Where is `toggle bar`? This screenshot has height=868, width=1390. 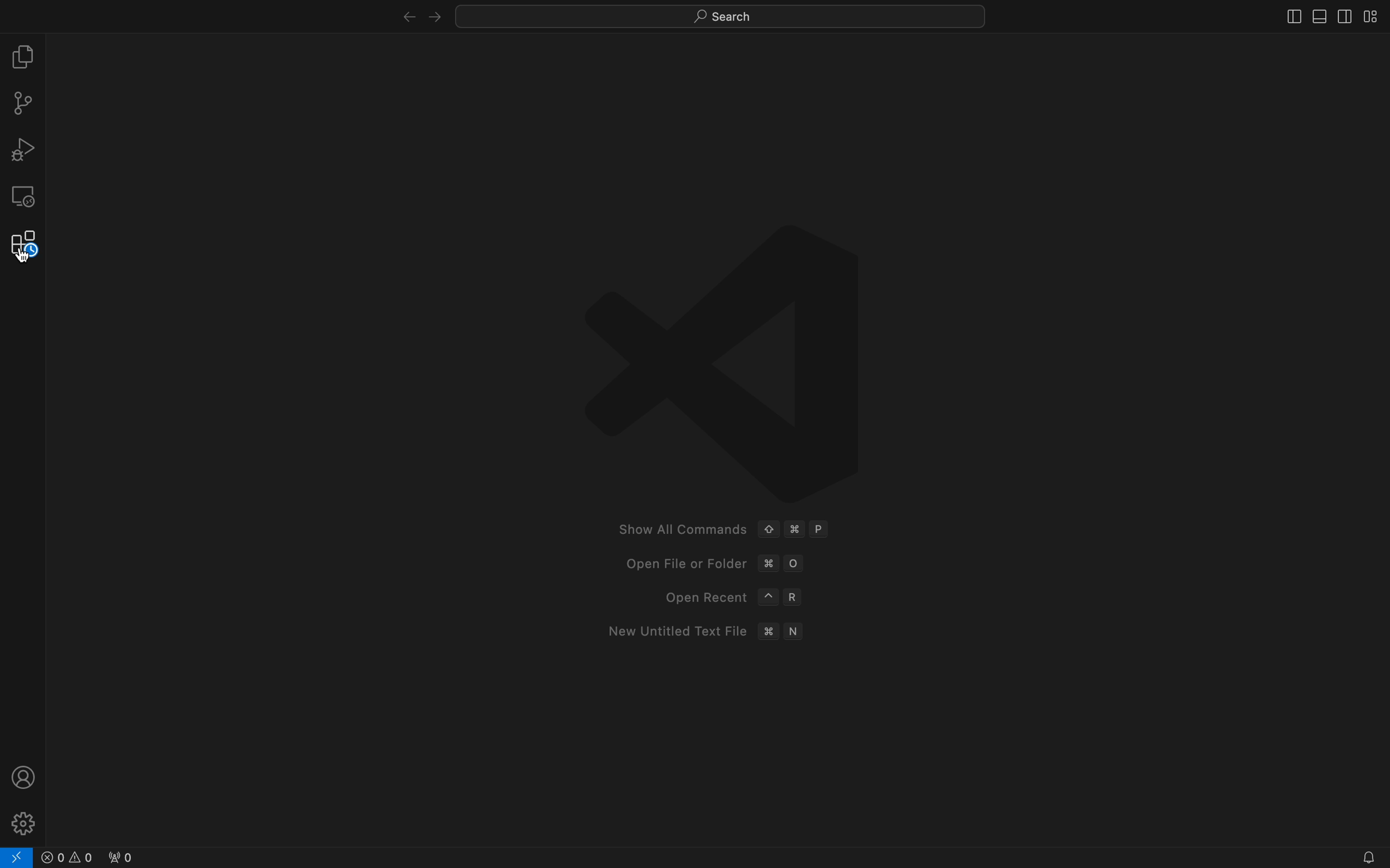 toggle bar is located at coordinates (1285, 16).